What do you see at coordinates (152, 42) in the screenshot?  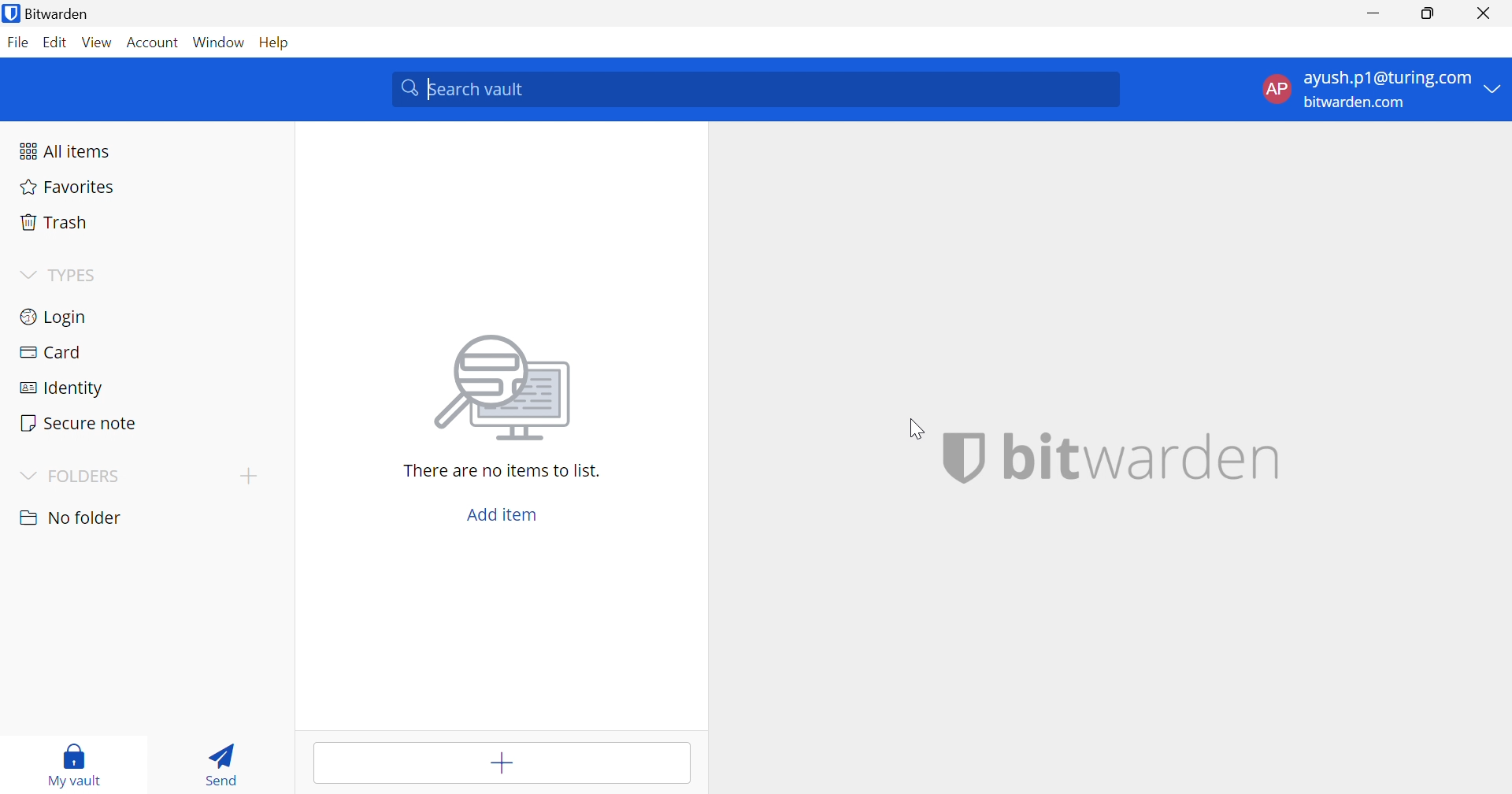 I see `Account` at bounding box center [152, 42].